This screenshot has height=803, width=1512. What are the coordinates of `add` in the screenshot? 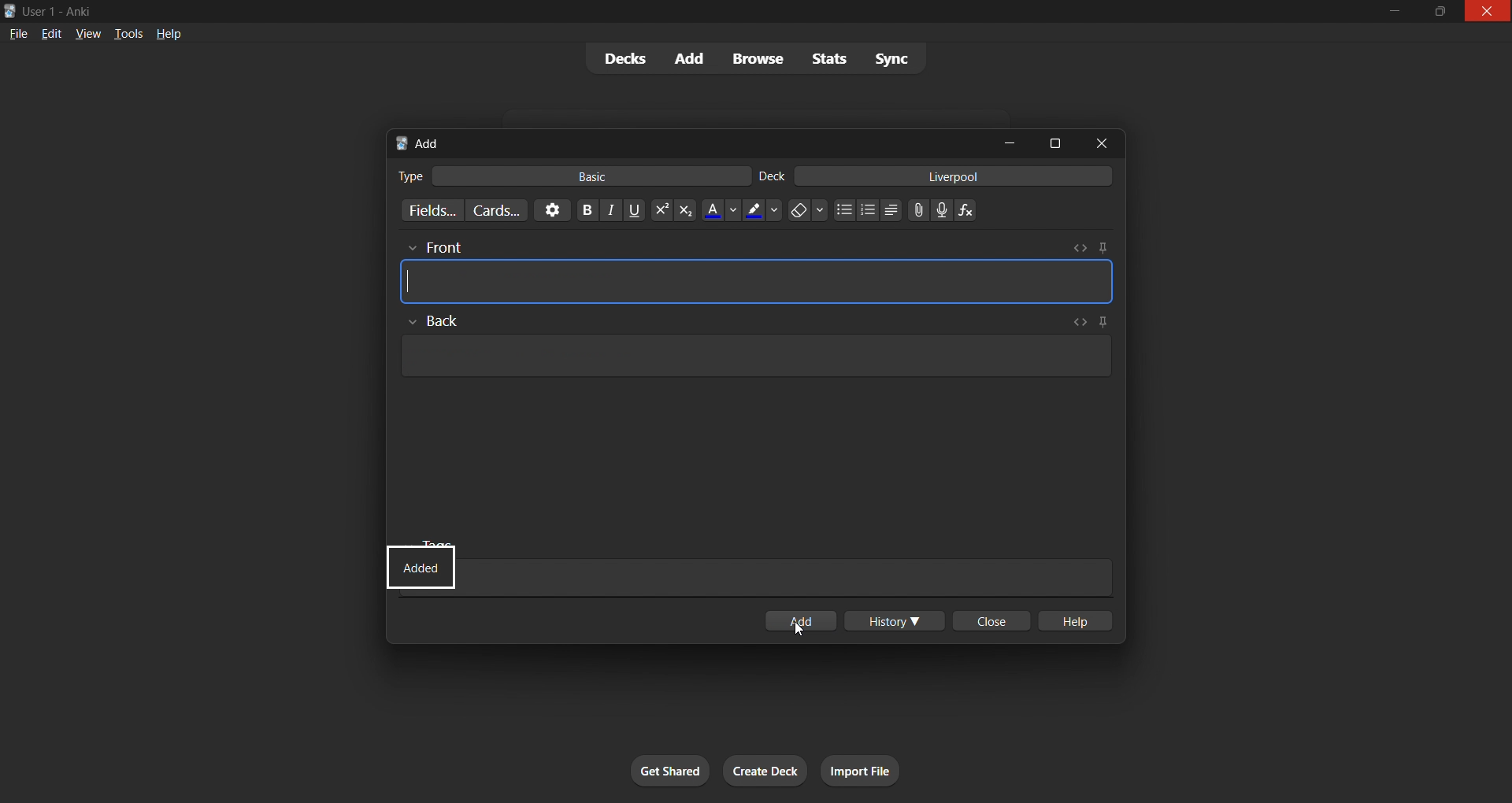 It's located at (691, 57).